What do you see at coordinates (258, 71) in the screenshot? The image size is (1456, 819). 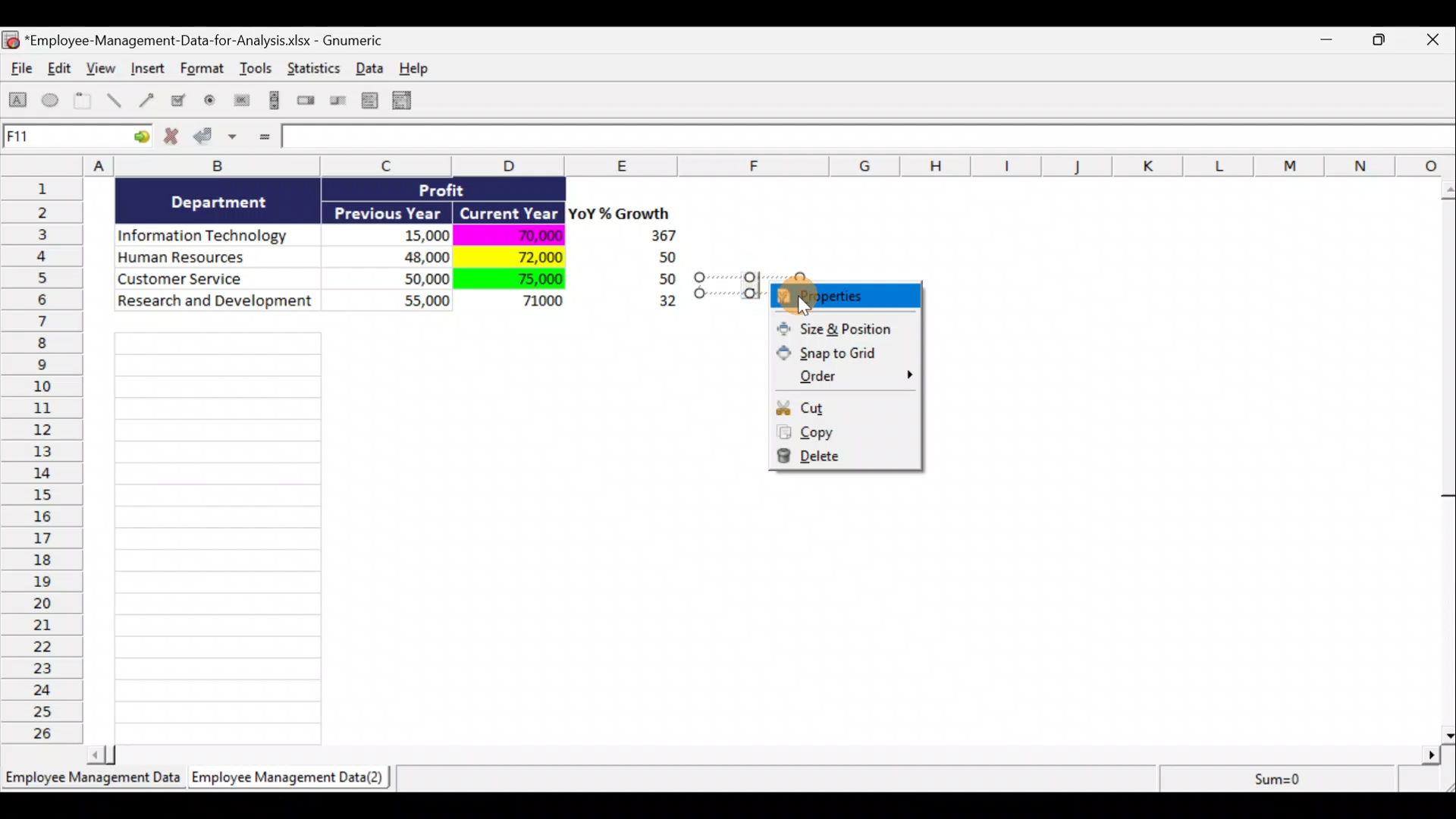 I see `Tools` at bounding box center [258, 71].